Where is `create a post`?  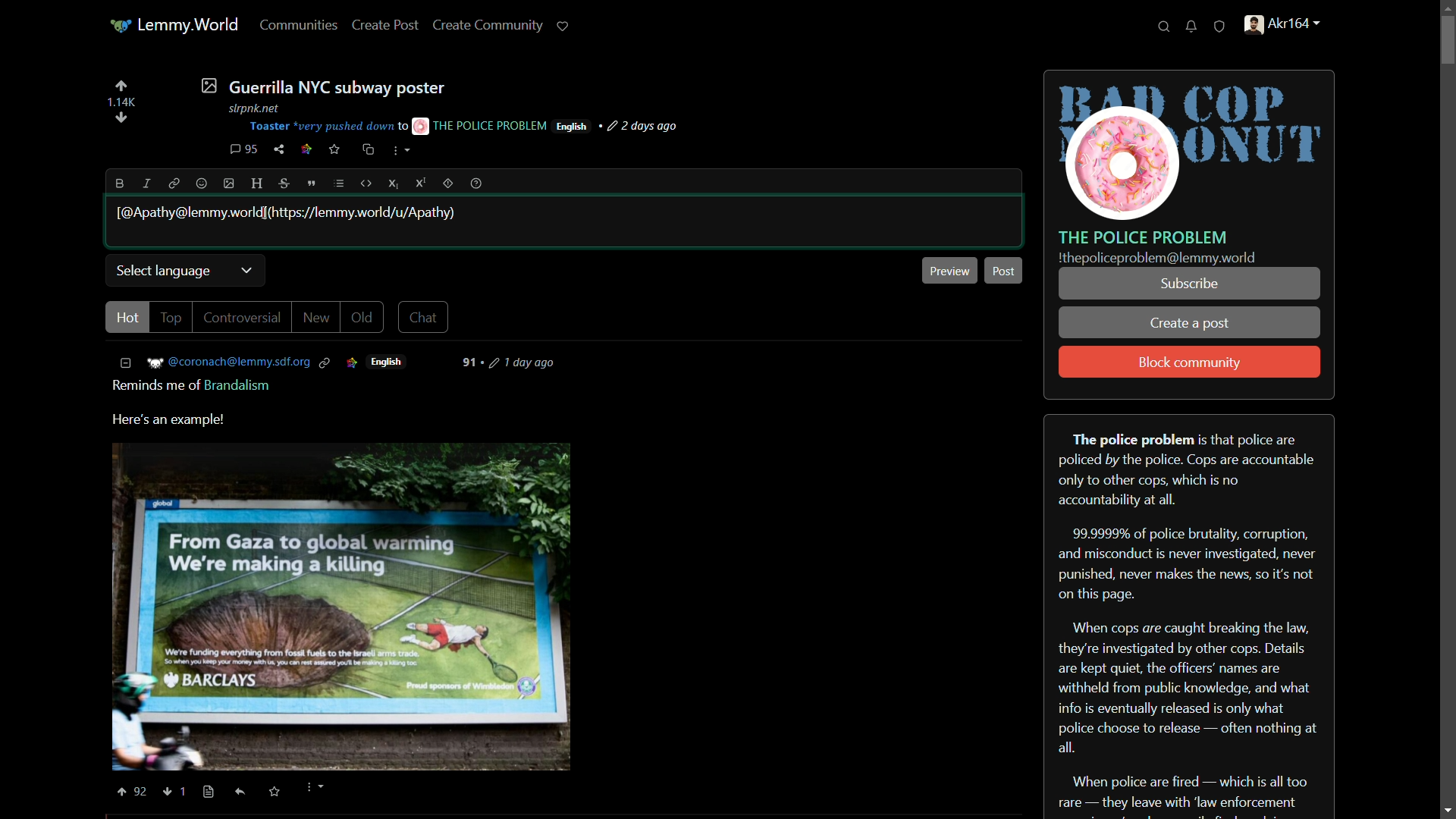
create a post is located at coordinates (1191, 325).